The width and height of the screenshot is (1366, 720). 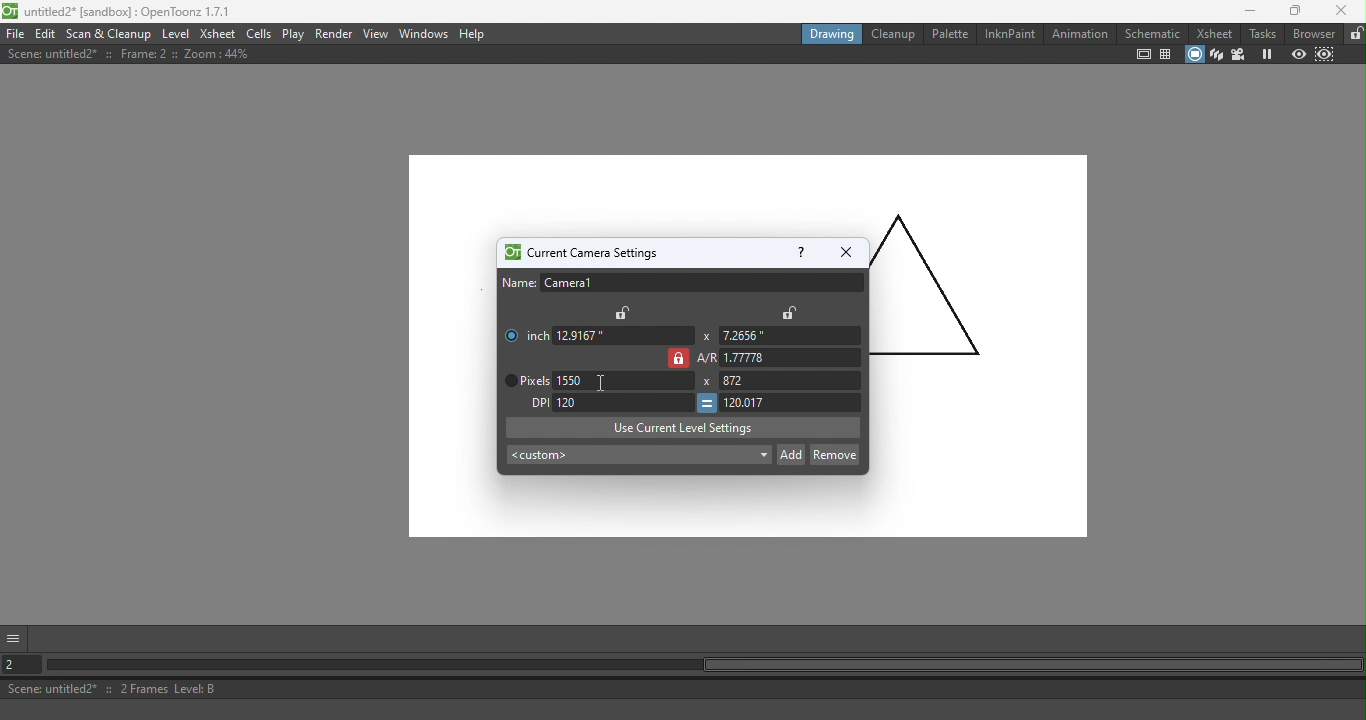 I want to click on Windows, so click(x=424, y=33).